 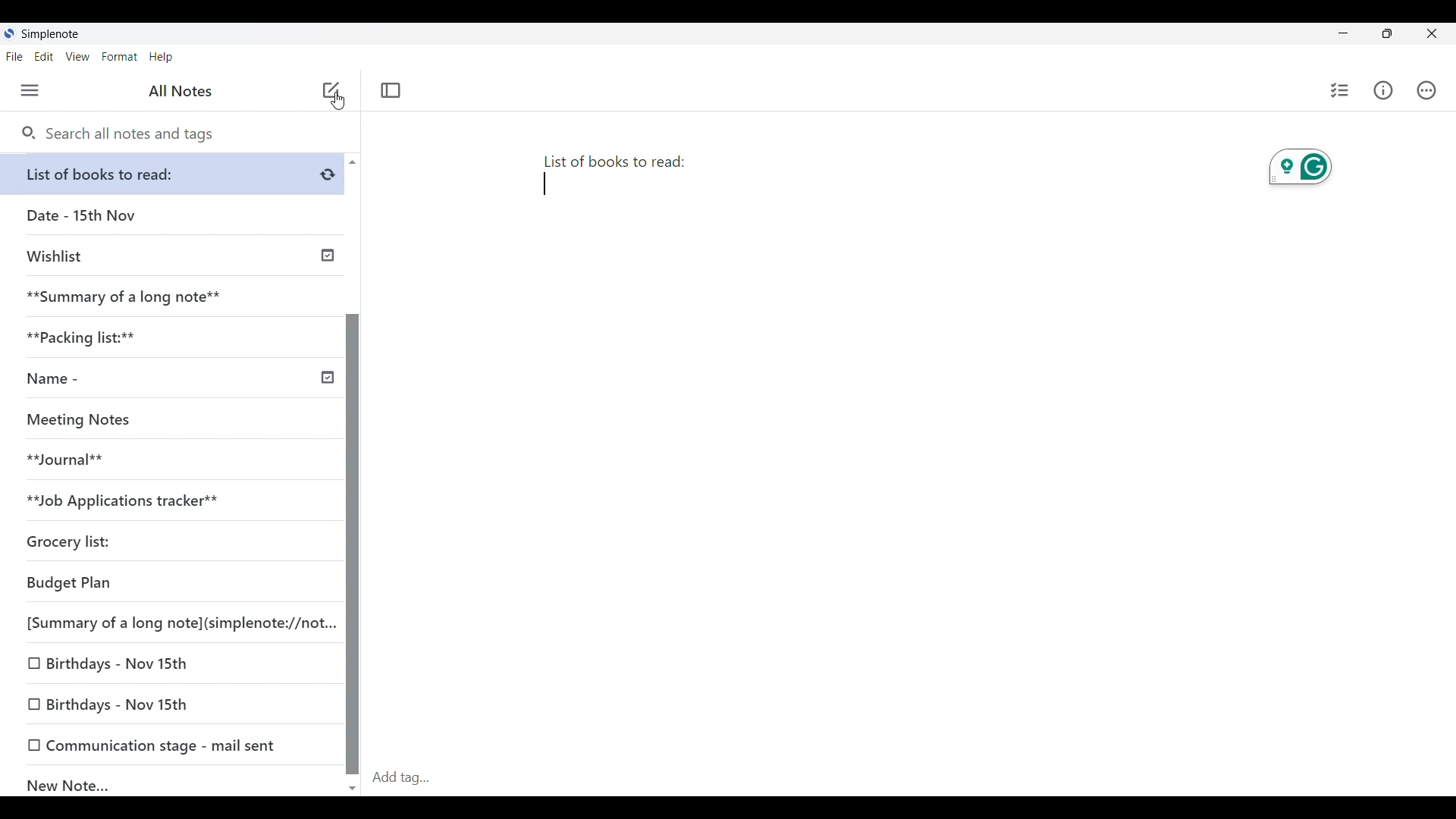 I want to click on View, so click(x=78, y=57).